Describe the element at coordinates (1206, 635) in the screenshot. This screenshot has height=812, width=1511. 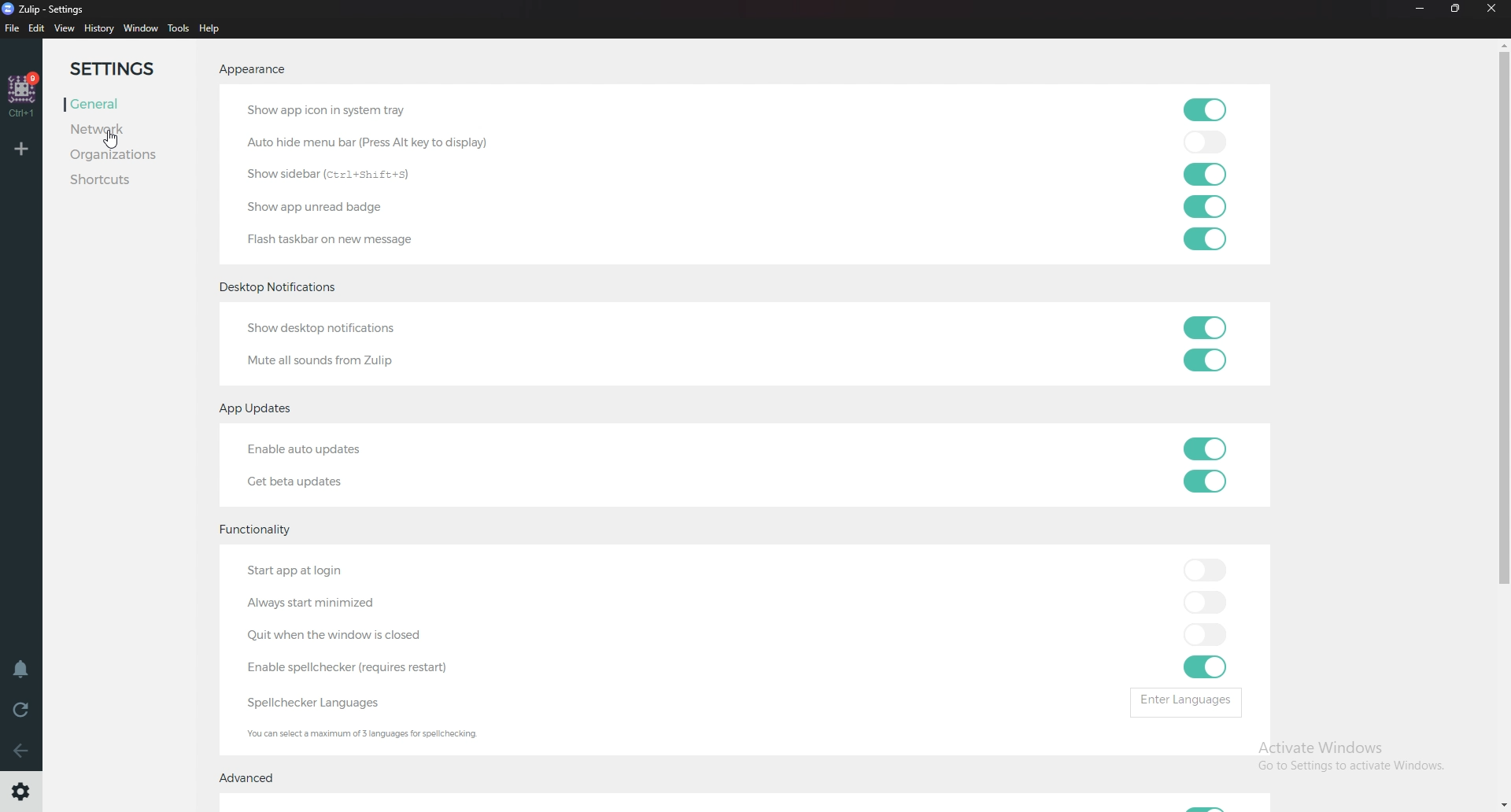
I see `toggle` at that location.